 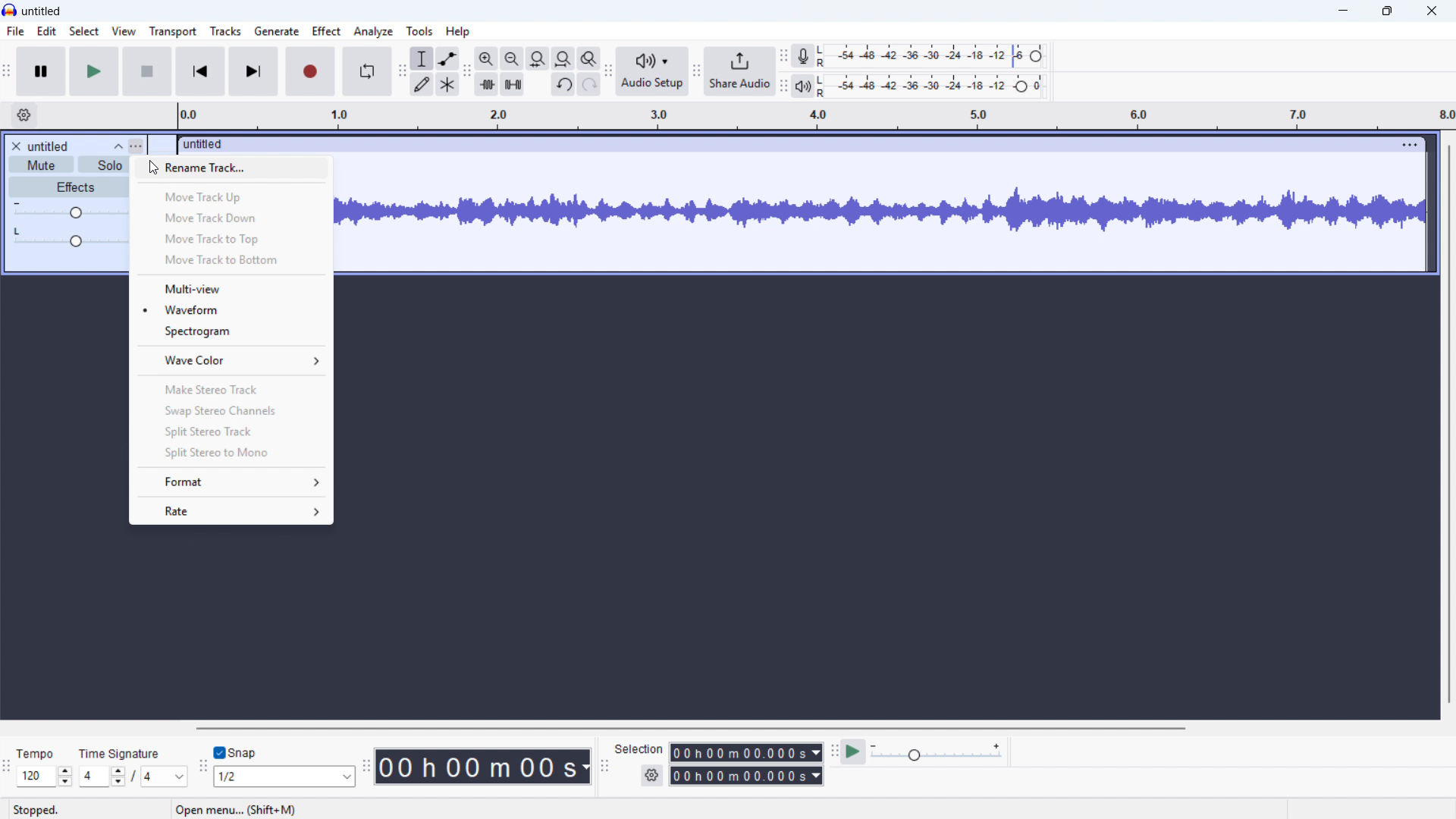 I want to click on play , so click(x=95, y=72).